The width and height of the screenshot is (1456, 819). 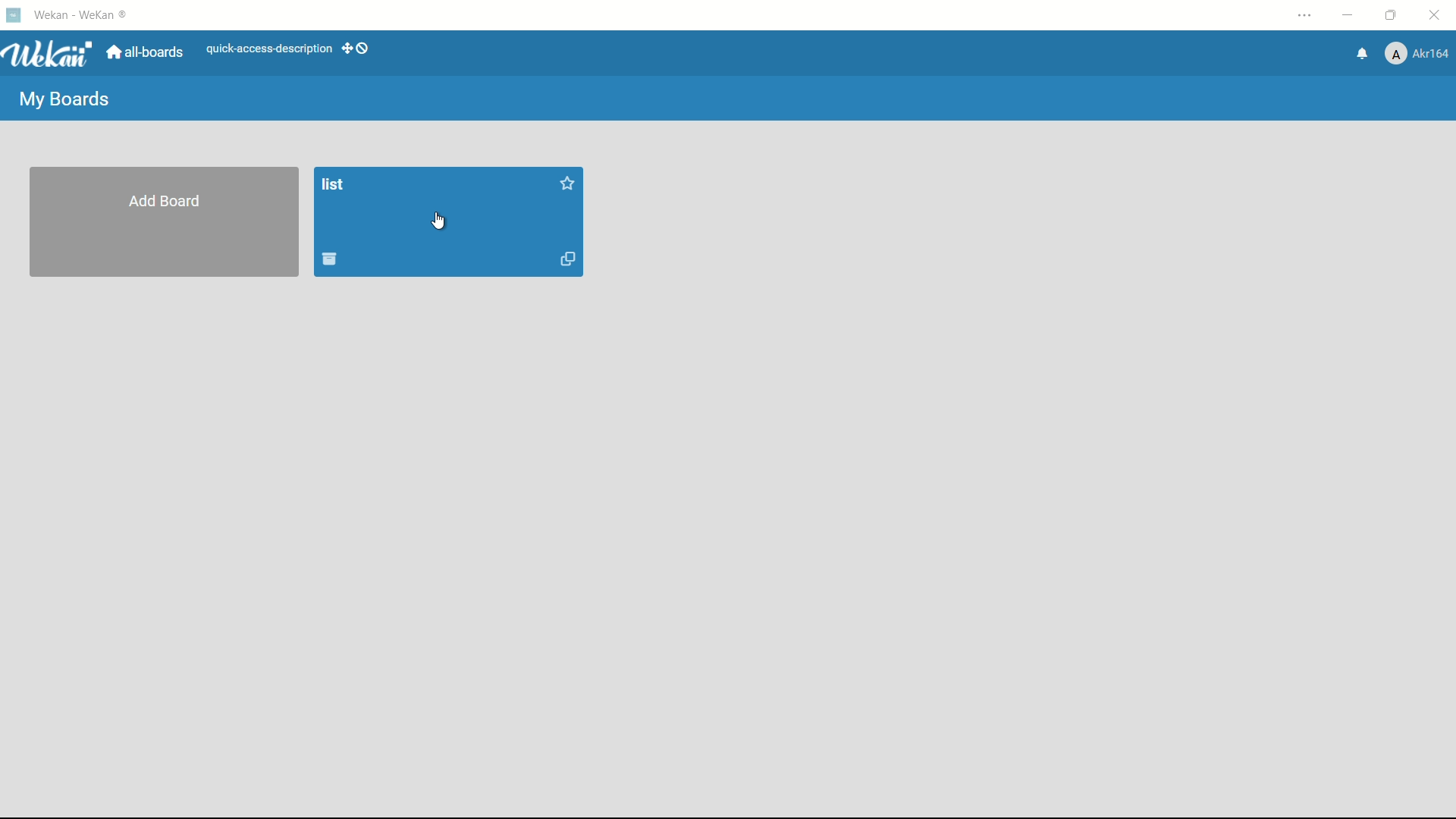 What do you see at coordinates (1391, 16) in the screenshot?
I see `maximize` at bounding box center [1391, 16].